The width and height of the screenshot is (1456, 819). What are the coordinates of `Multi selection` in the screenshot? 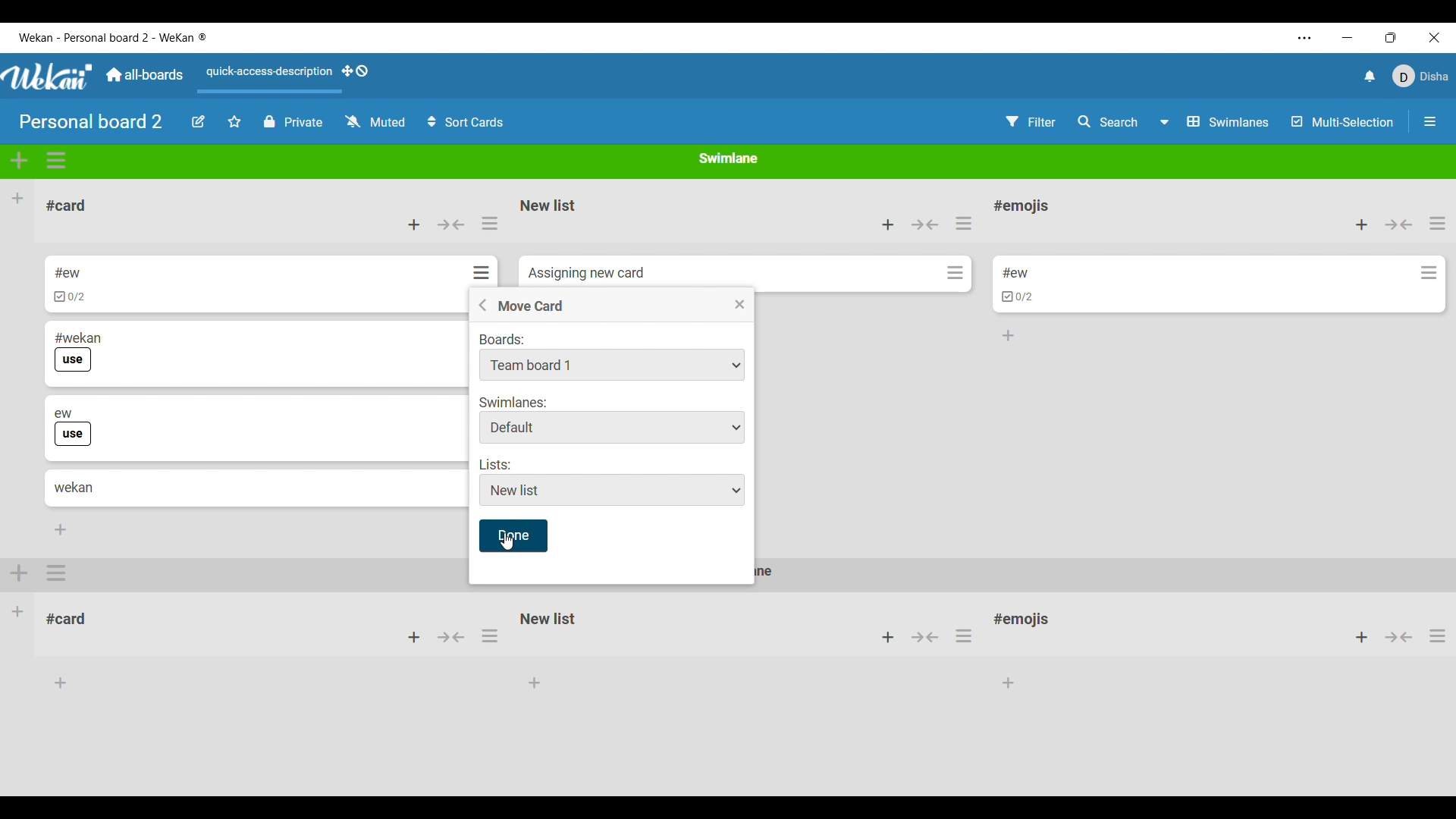 It's located at (1343, 122).